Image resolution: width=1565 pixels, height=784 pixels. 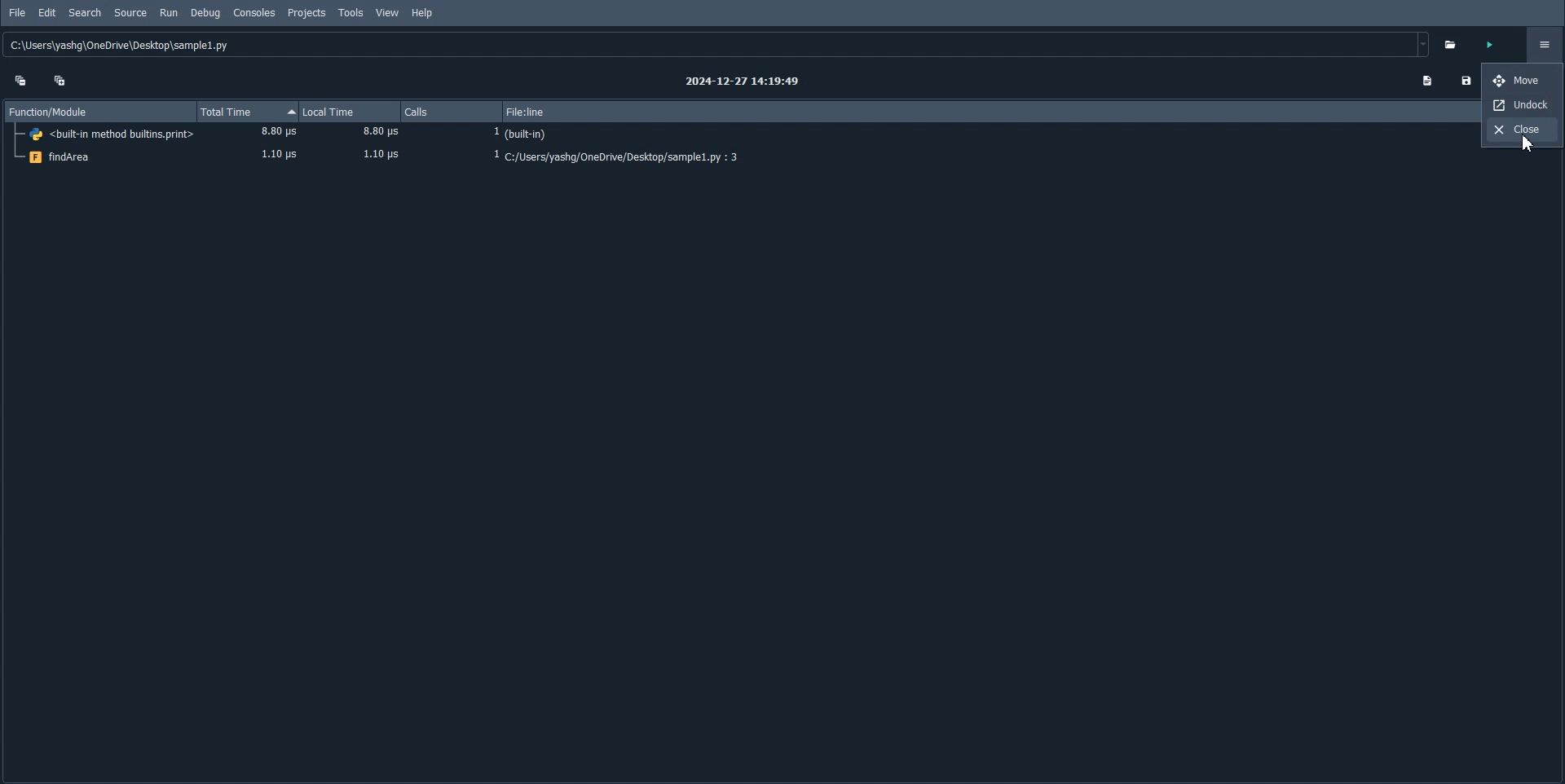 I want to click on Select python file, so click(x=1453, y=44).